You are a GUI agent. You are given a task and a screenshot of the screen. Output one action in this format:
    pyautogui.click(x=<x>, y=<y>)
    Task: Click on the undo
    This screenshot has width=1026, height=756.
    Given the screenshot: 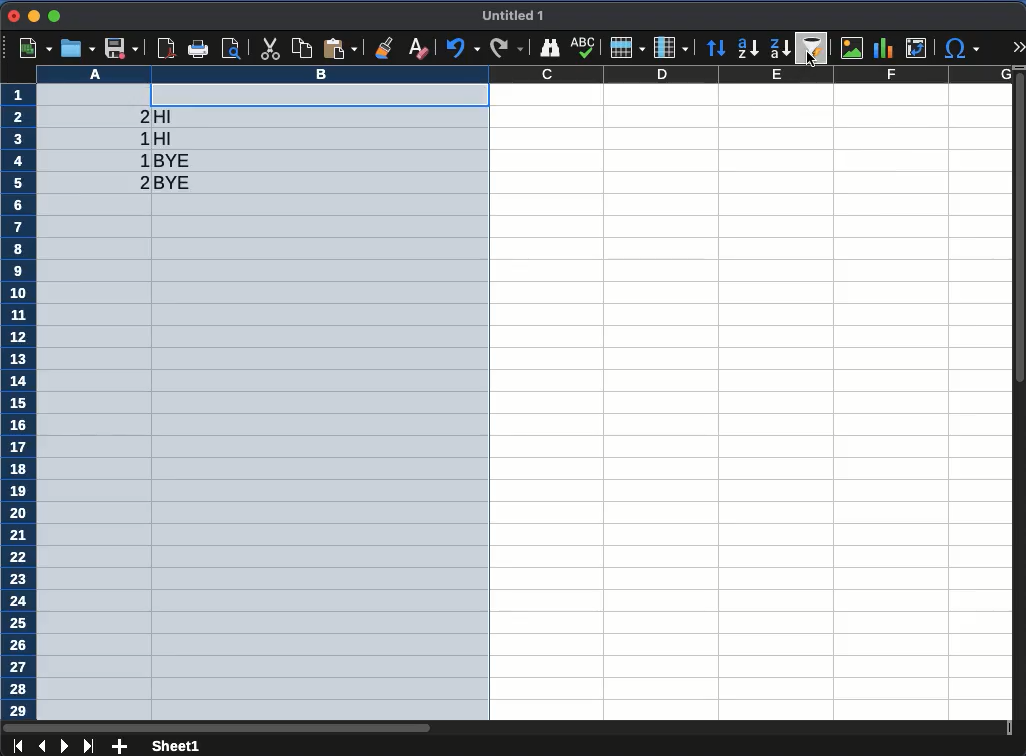 What is the action you would take?
    pyautogui.click(x=464, y=47)
    